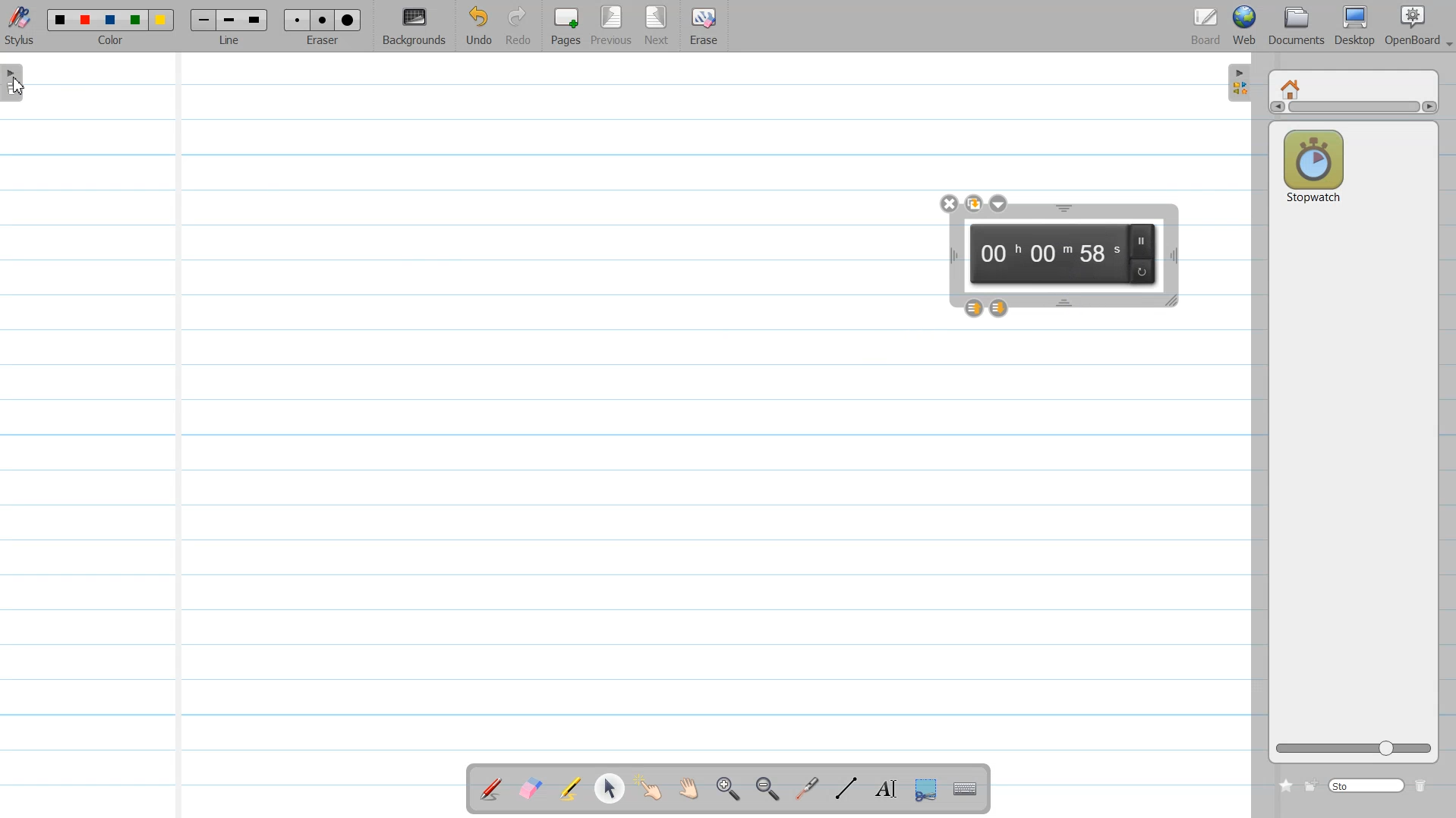 The height and width of the screenshot is (818, 1456). Describe the element at coordinates (1001, 307) in the screenshot. I see `Layer down` at that location.